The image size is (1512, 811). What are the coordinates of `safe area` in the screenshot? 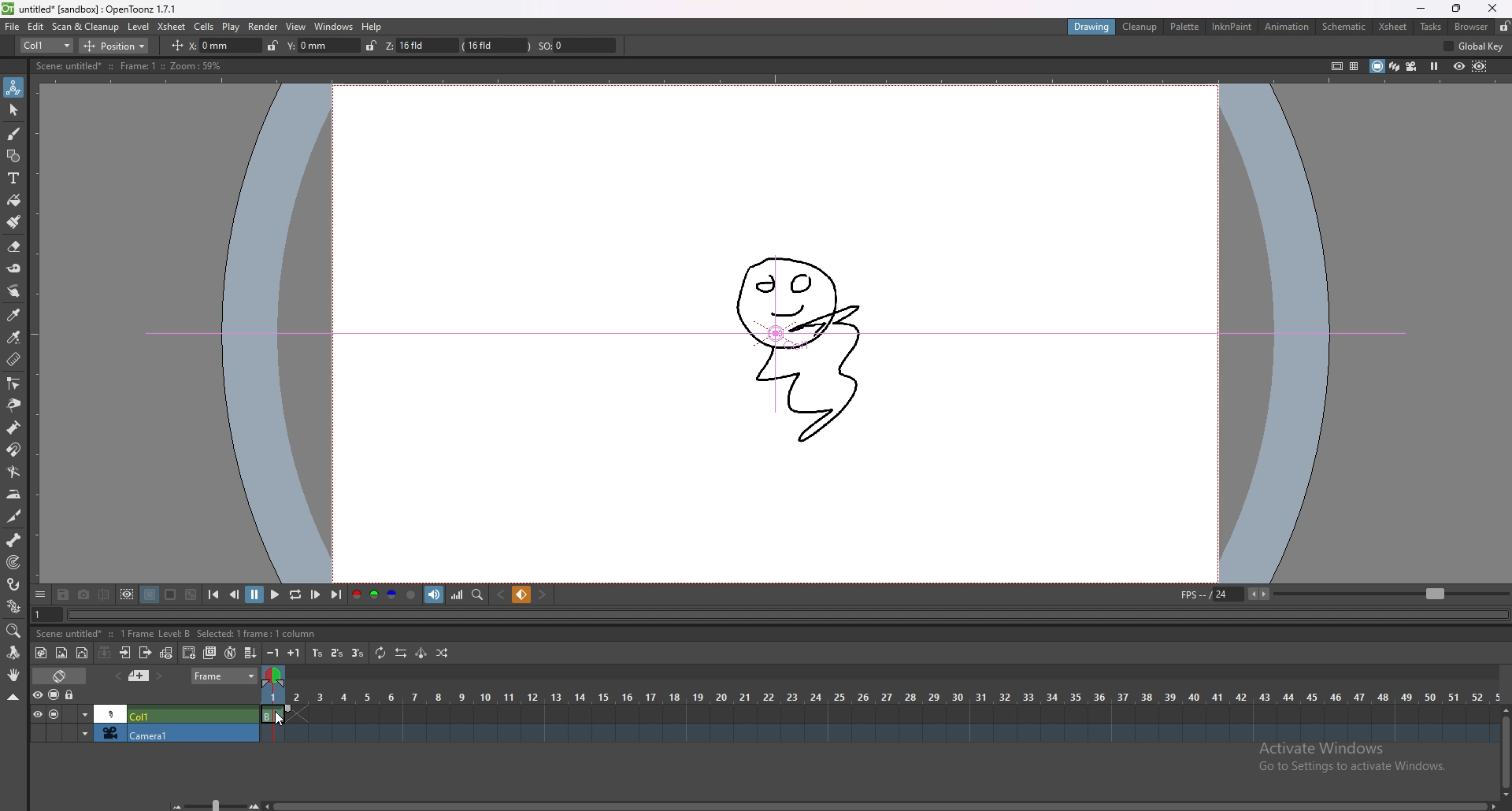 It's located at (1335, 65).